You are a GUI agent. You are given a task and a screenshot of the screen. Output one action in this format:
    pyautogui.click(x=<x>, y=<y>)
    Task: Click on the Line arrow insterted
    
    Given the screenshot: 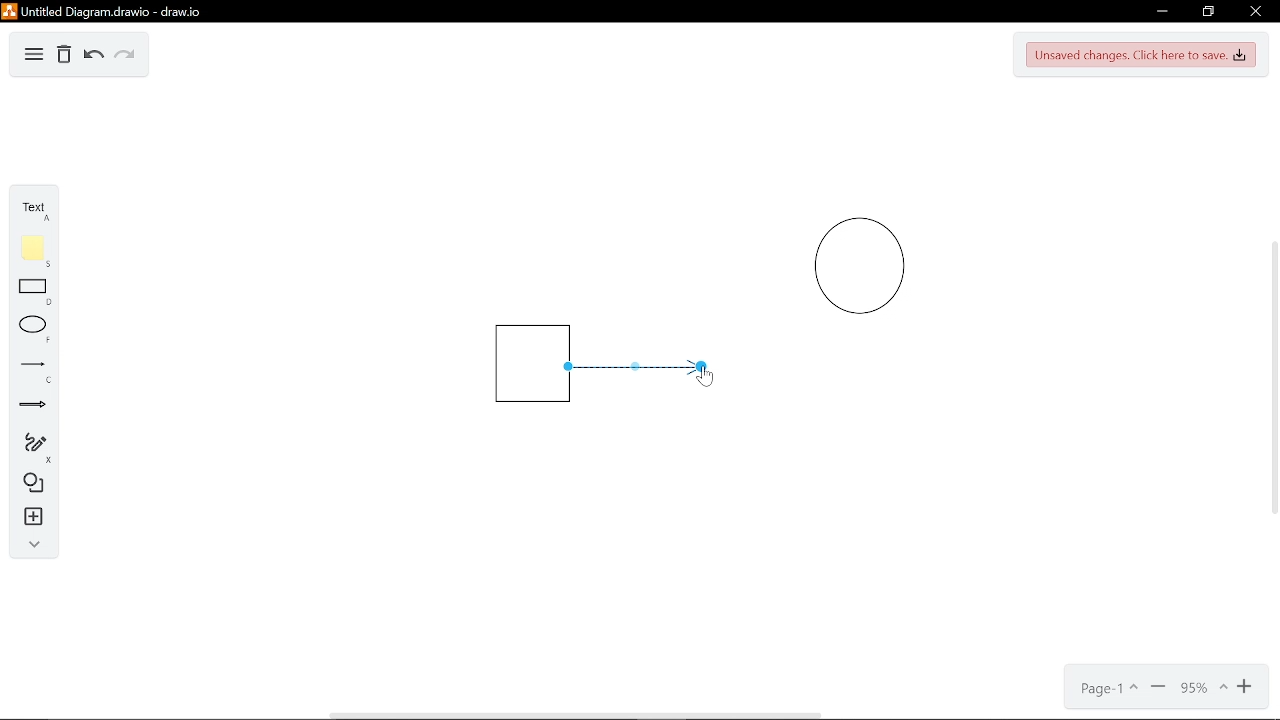 What is the action you would take?
    pyautogui.click(x=648, y=364)
    